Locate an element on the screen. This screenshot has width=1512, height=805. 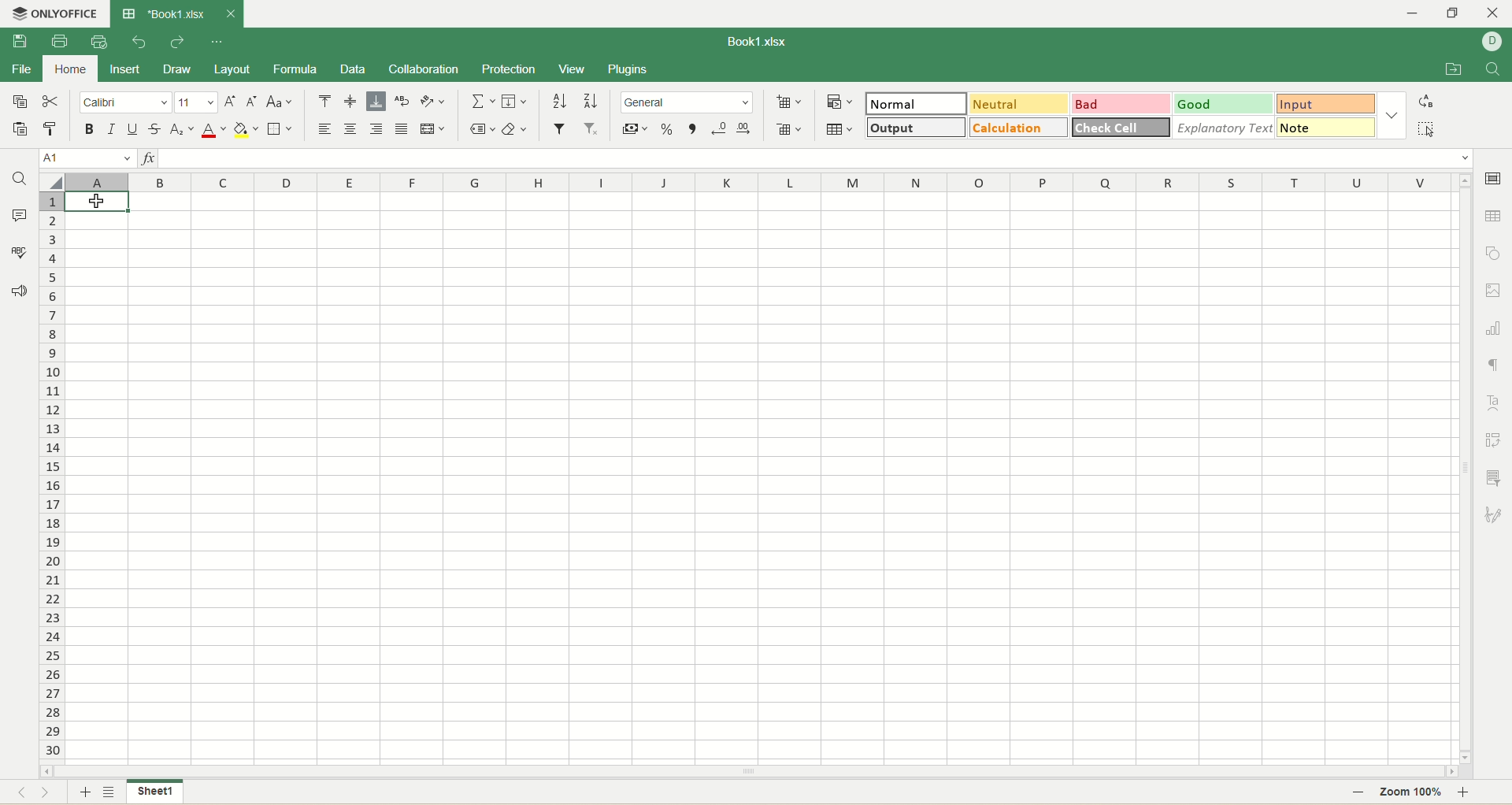
check cell is located at coordinates (1122, 128).